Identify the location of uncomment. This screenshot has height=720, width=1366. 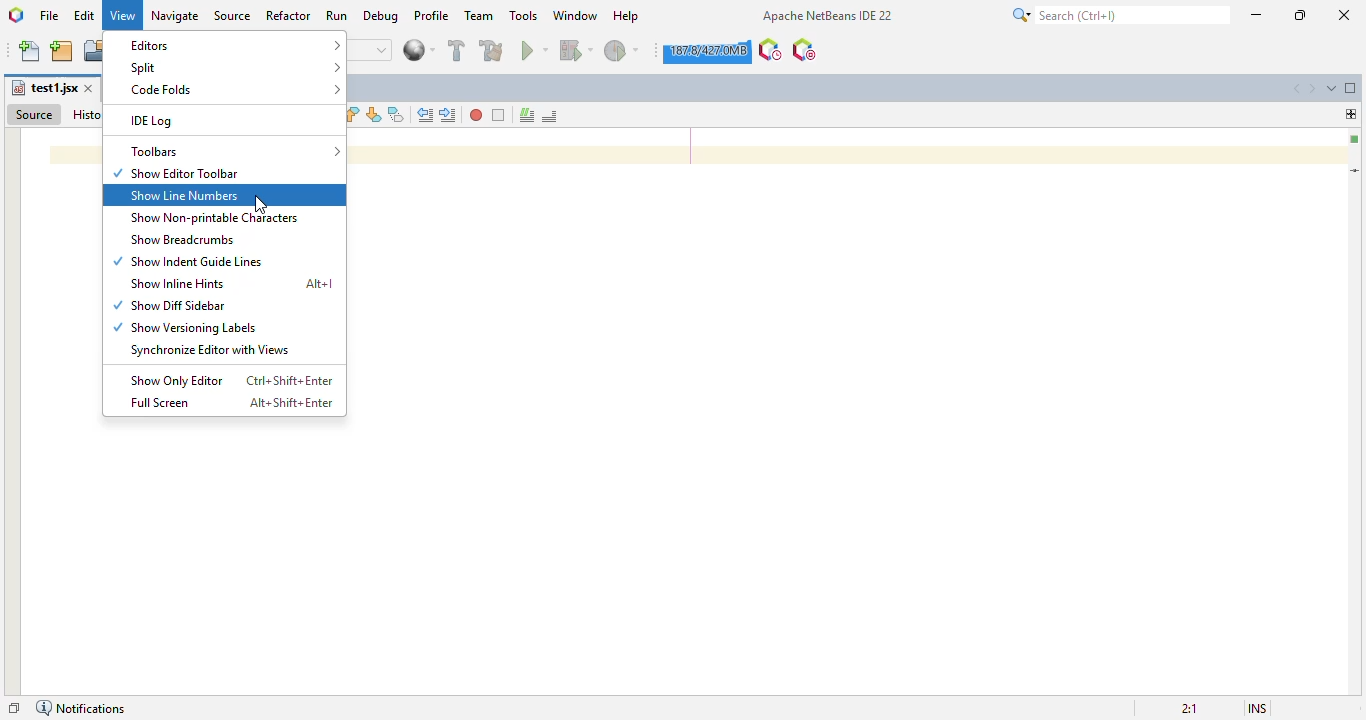
(549, 116).